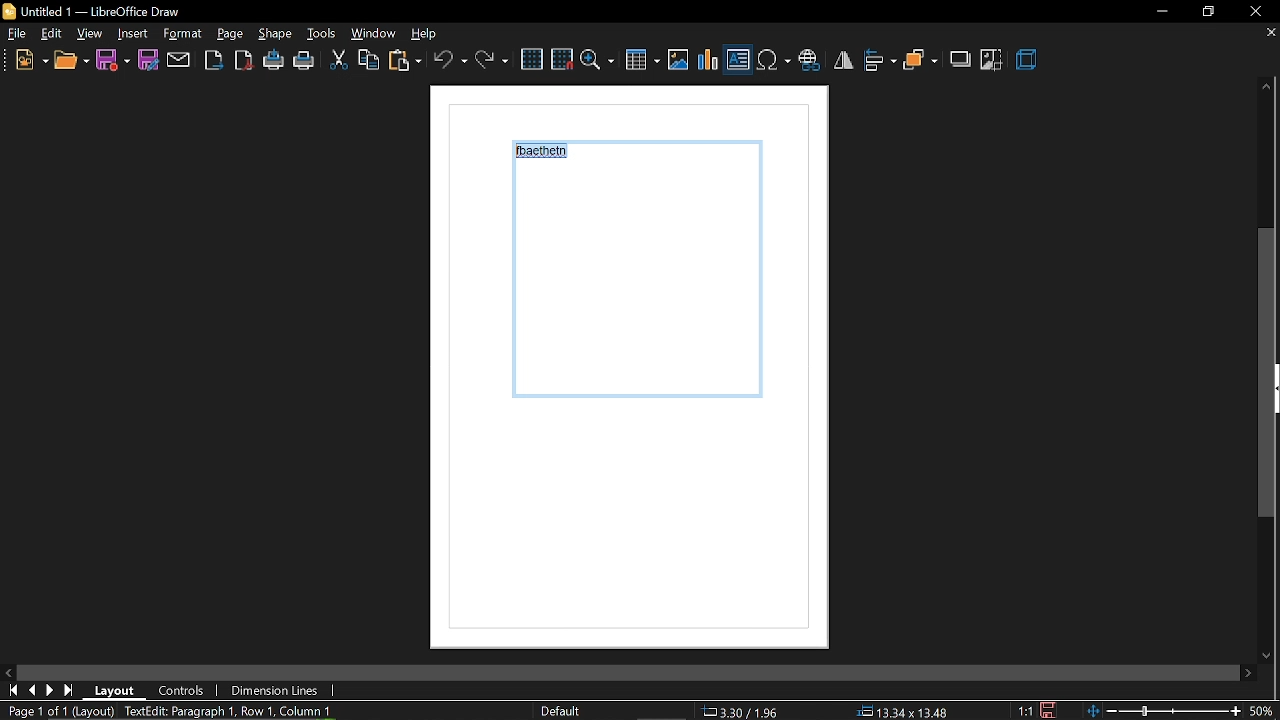 This screenshot has width=1280, height=720. I want to click on Insert text, so click(738, 59).